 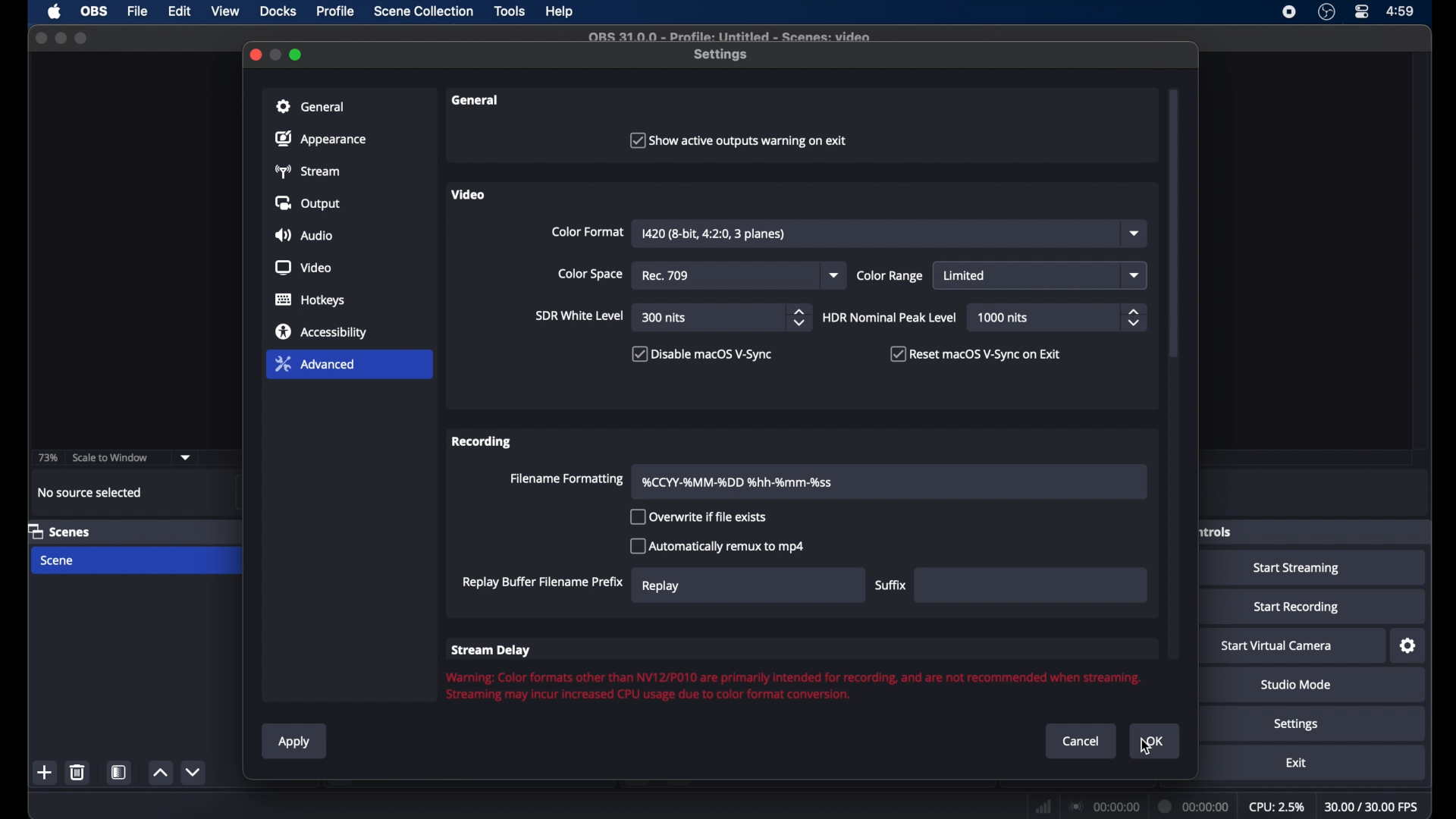 What do you see at coordinates (888, 318) in the screenshot?
I see `HDR nominal peak level` at bounding box center [888, 318].